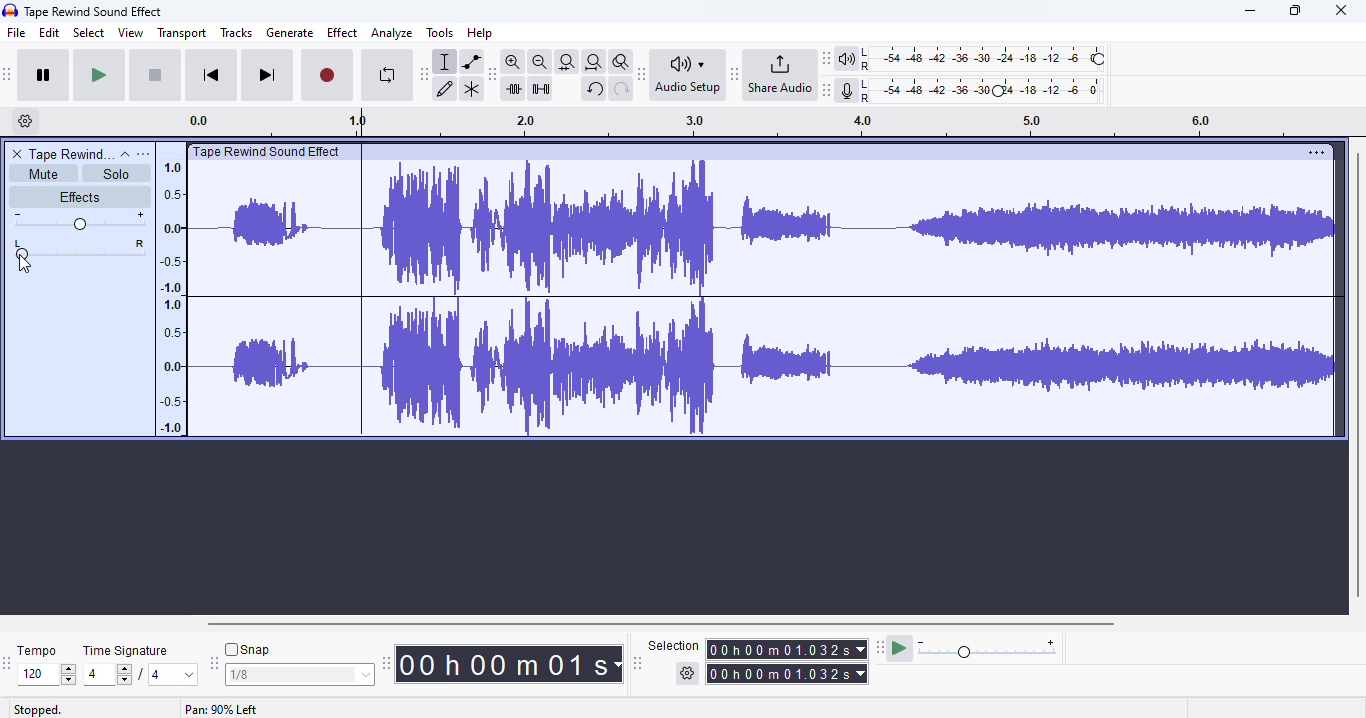 This screenshot has height=718, width=1366. Describe the element at coordinates (213, 662) in the screenshot. I see `audacity snapping toolbar` at that location.